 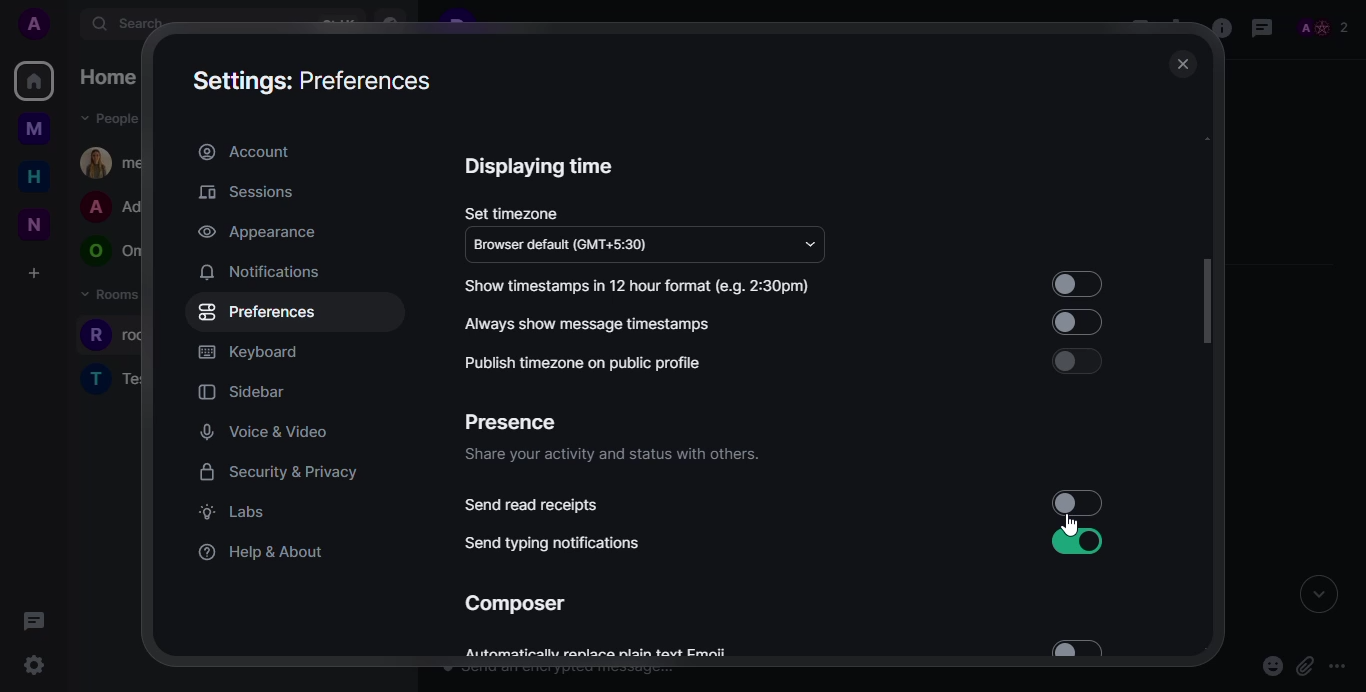 I want to click on cursor, so click(x=1073, y=524).